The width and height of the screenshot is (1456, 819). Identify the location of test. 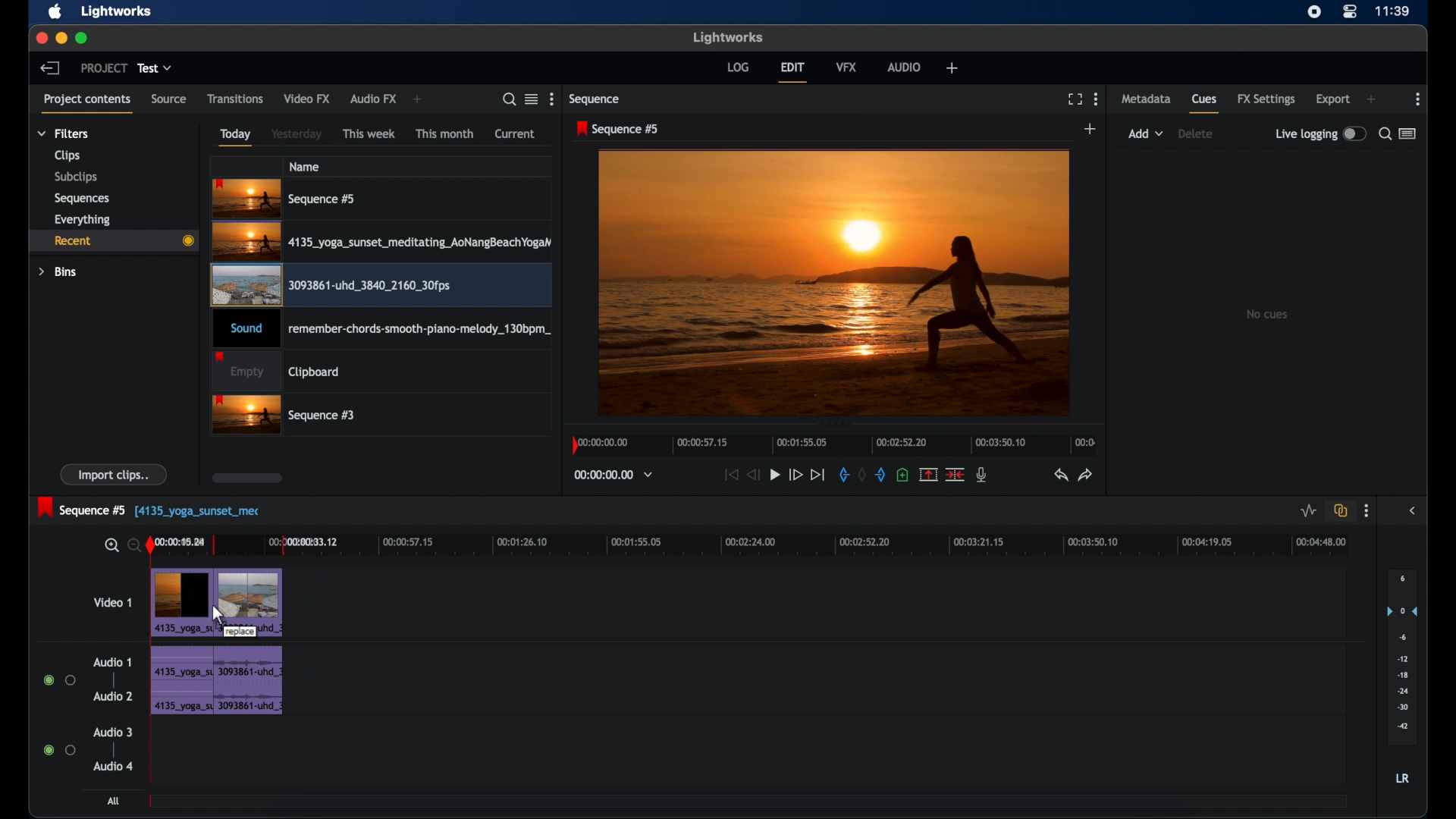
(155, 67).